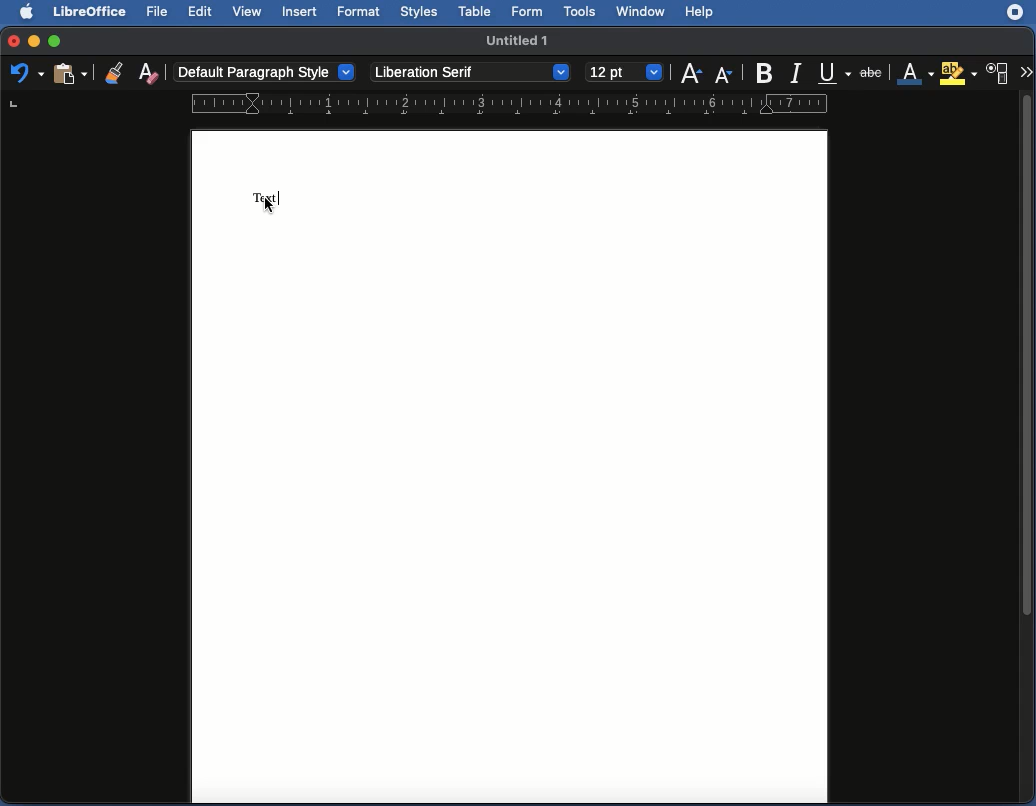  What do you see at coordinates (153, 72) in the screenshot?
I see `Clear formatting` at bounding box center [153, 72].